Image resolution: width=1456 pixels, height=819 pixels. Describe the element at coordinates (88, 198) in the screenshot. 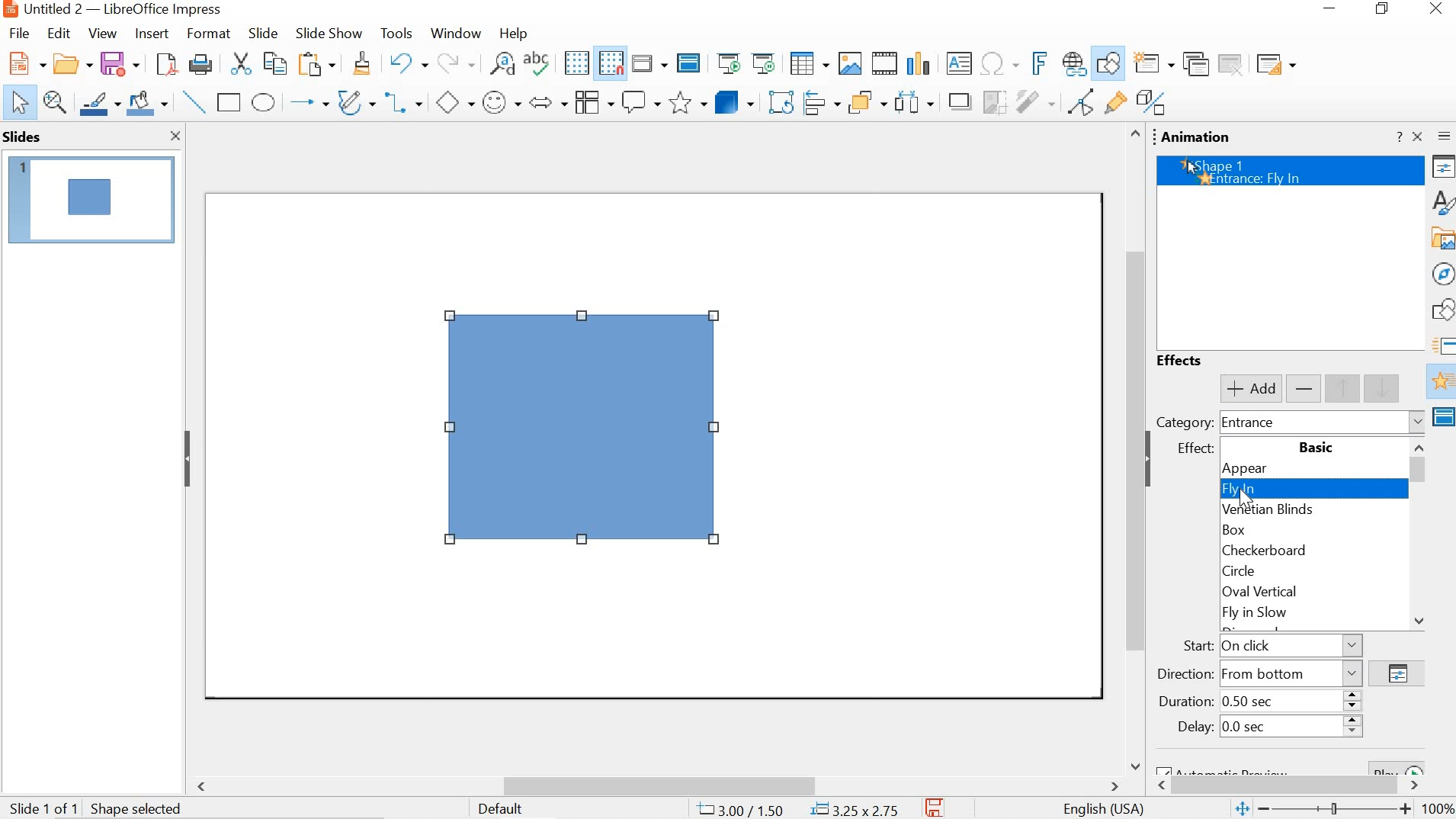

I see `object animated` at that location.